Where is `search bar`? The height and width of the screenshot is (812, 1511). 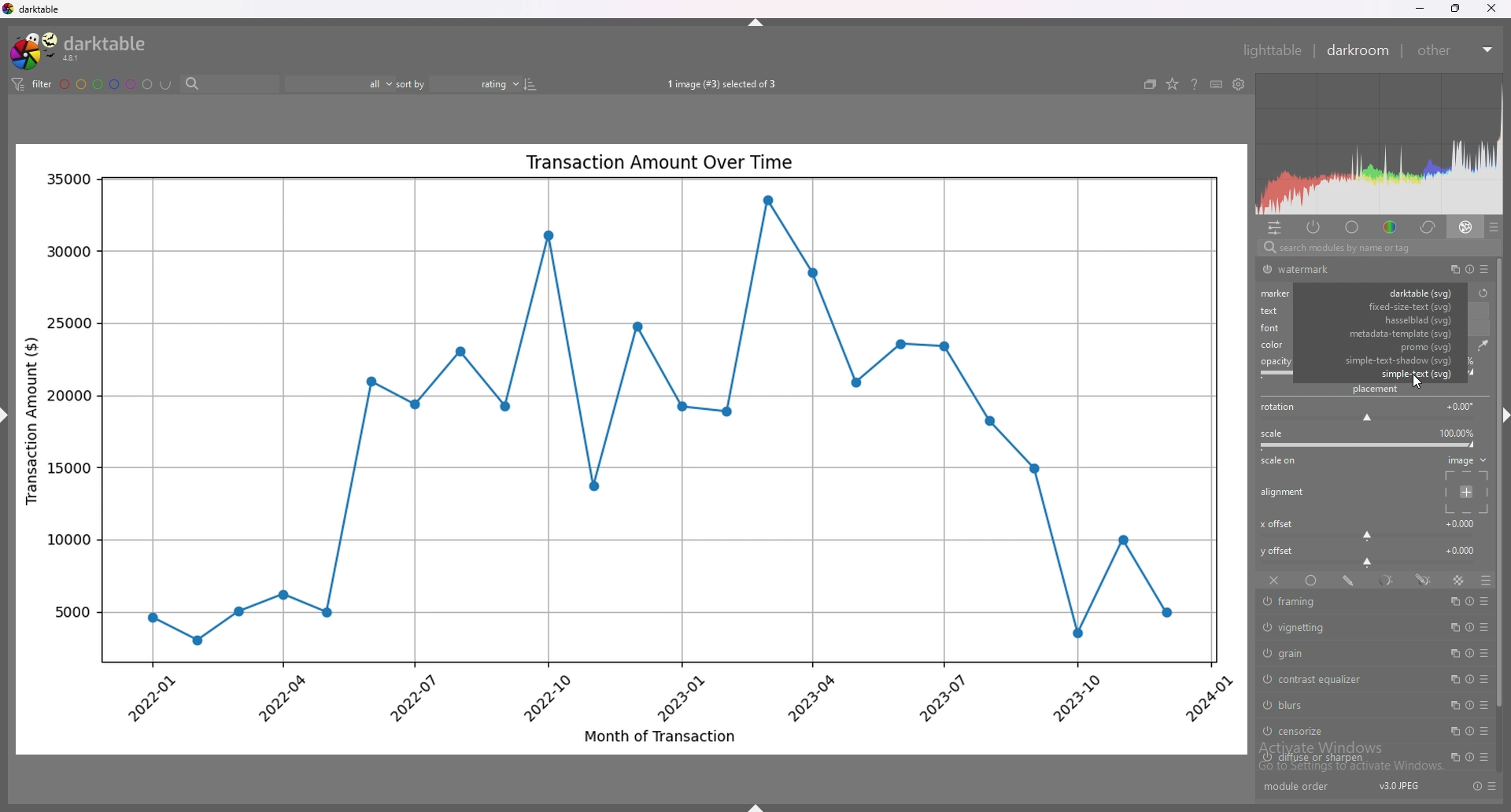
search bar is located at coordinates (226, 85).